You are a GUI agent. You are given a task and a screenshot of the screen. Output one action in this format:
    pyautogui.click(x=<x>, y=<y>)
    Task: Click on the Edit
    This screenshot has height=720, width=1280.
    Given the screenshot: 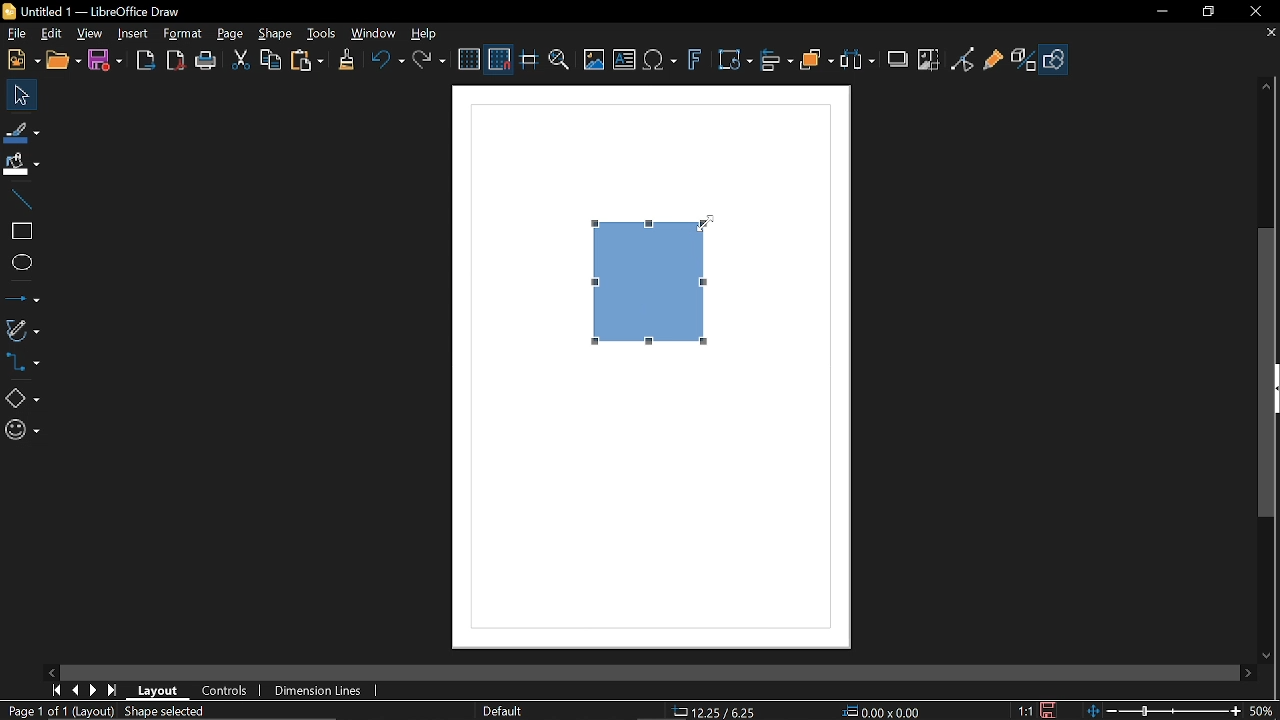 What is the action you would take?
    pyautogui.click(x=50, y=32)
    